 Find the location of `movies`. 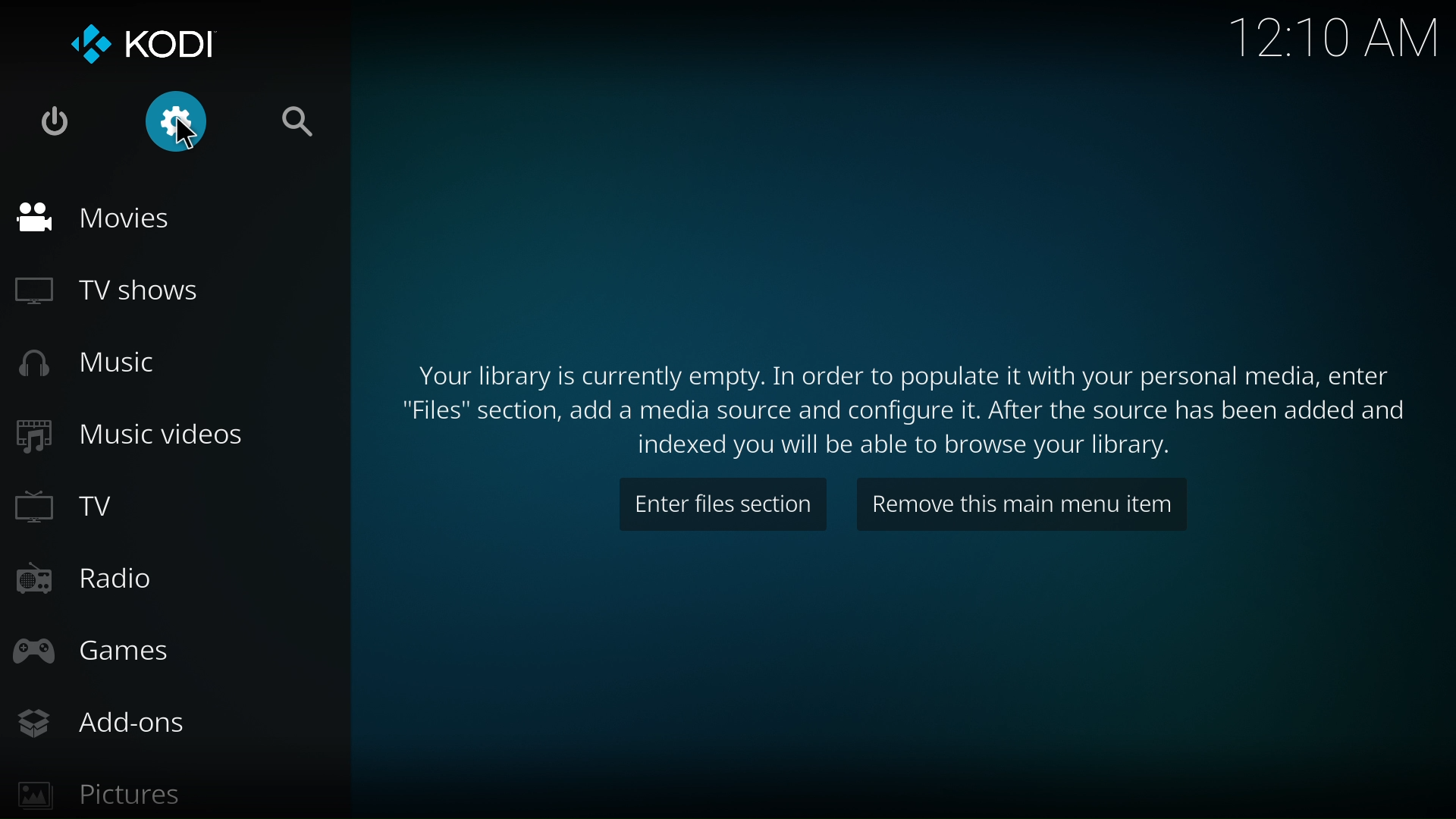

movies is located at coordinates (96, 216).